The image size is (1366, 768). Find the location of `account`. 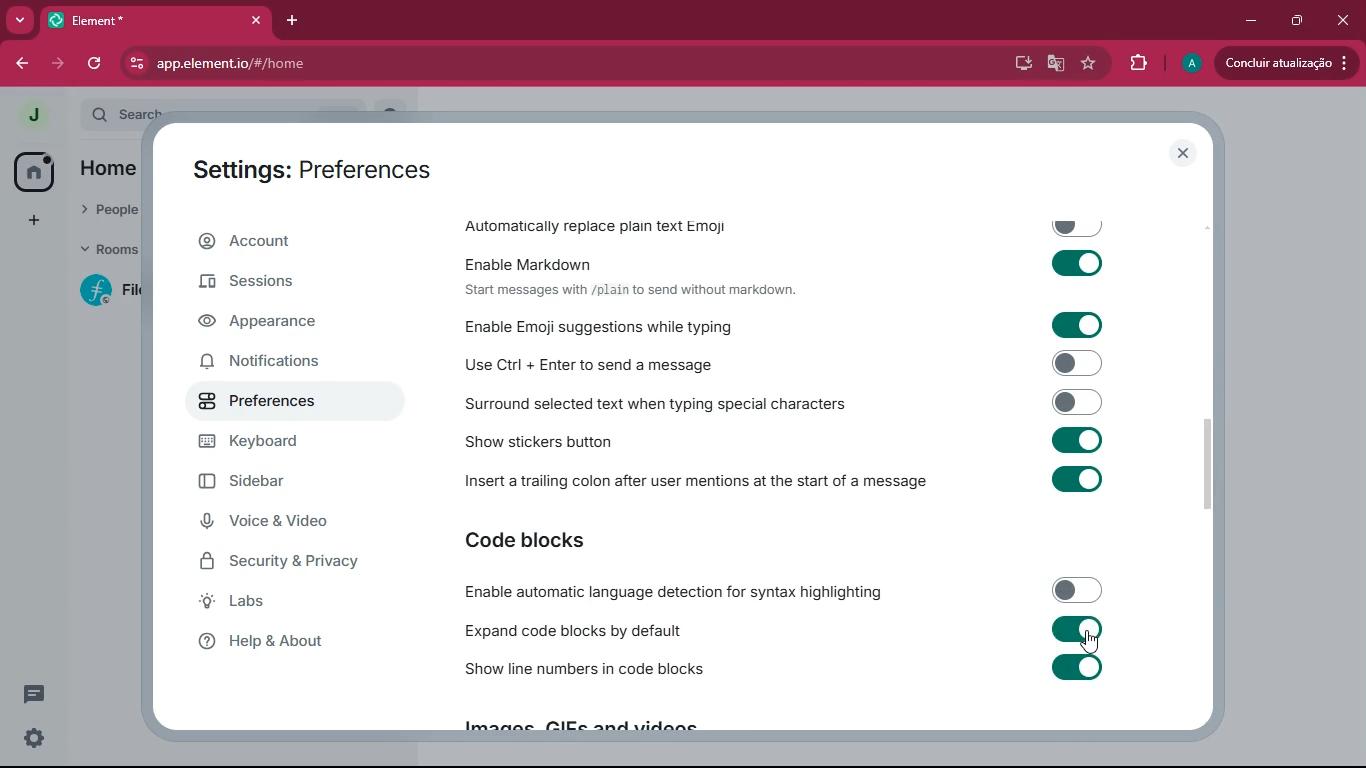

account is located at coordinates (299, 241).